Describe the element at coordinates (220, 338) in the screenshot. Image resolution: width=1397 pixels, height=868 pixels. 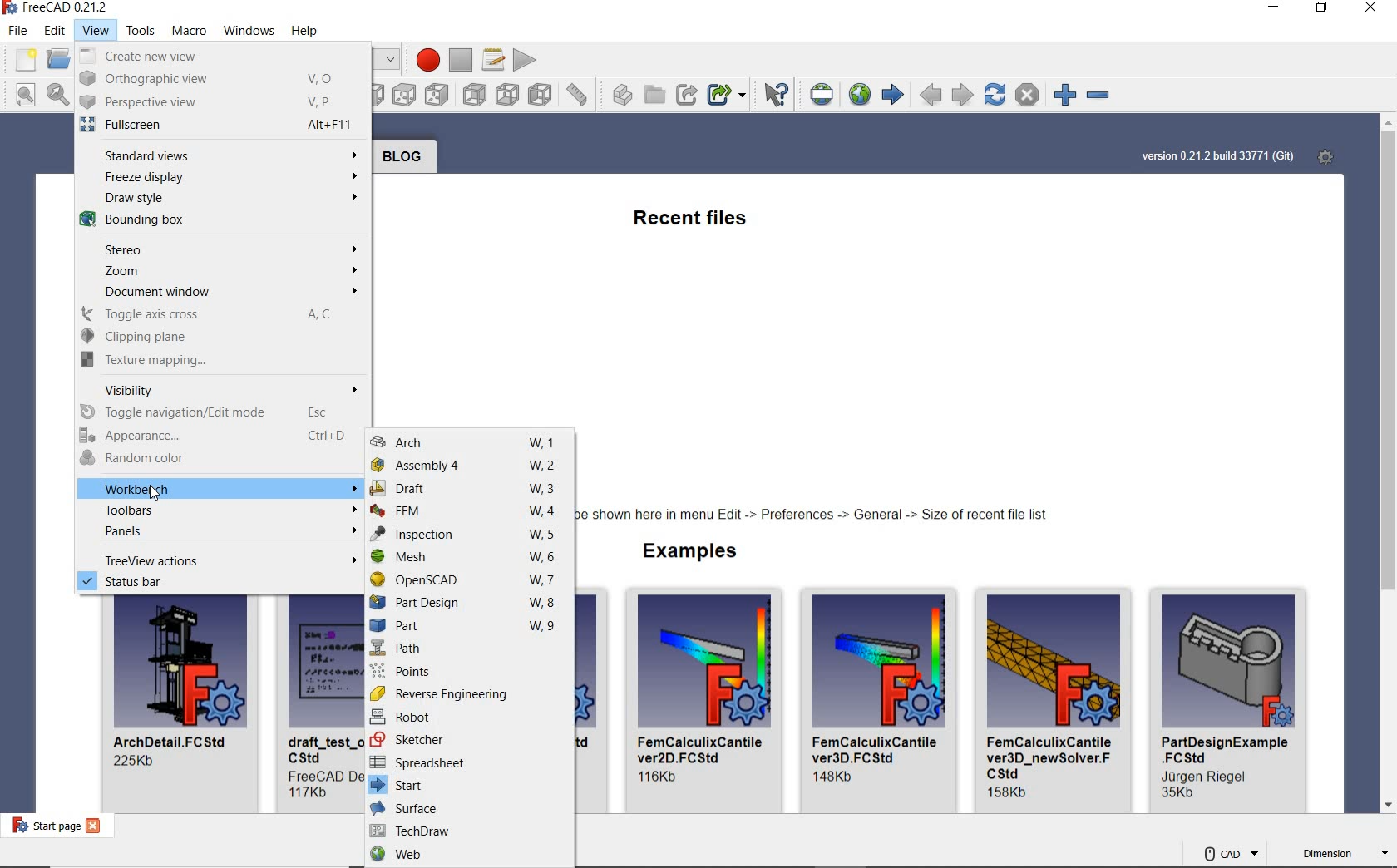
I see `clipping plane` at that location.